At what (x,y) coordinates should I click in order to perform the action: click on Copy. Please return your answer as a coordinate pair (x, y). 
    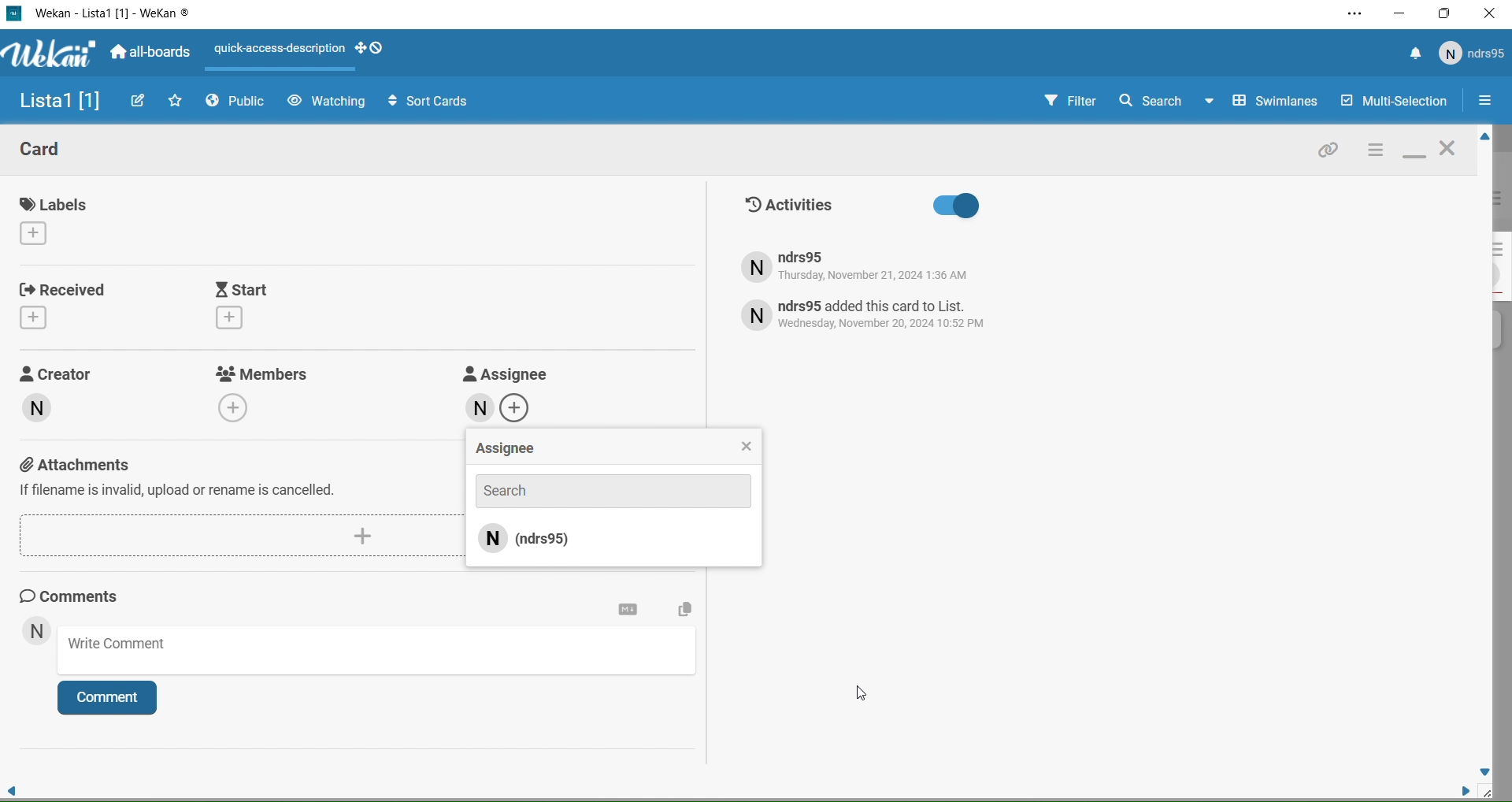
    Looking at the image, I should click on (682, 611).